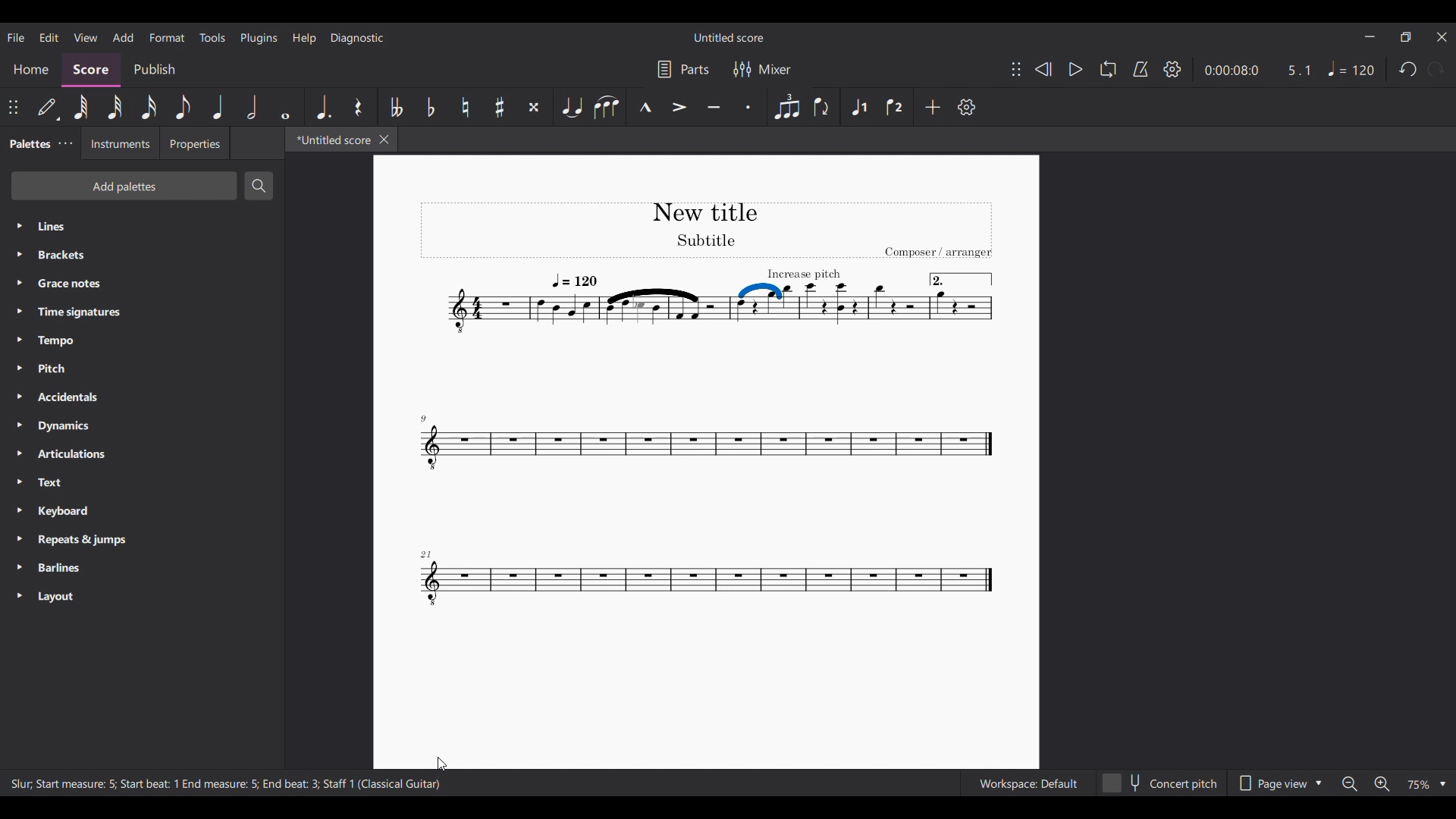 This screenshot has width=1456, height=819. I want to click on Staccato, so click(749, 106).